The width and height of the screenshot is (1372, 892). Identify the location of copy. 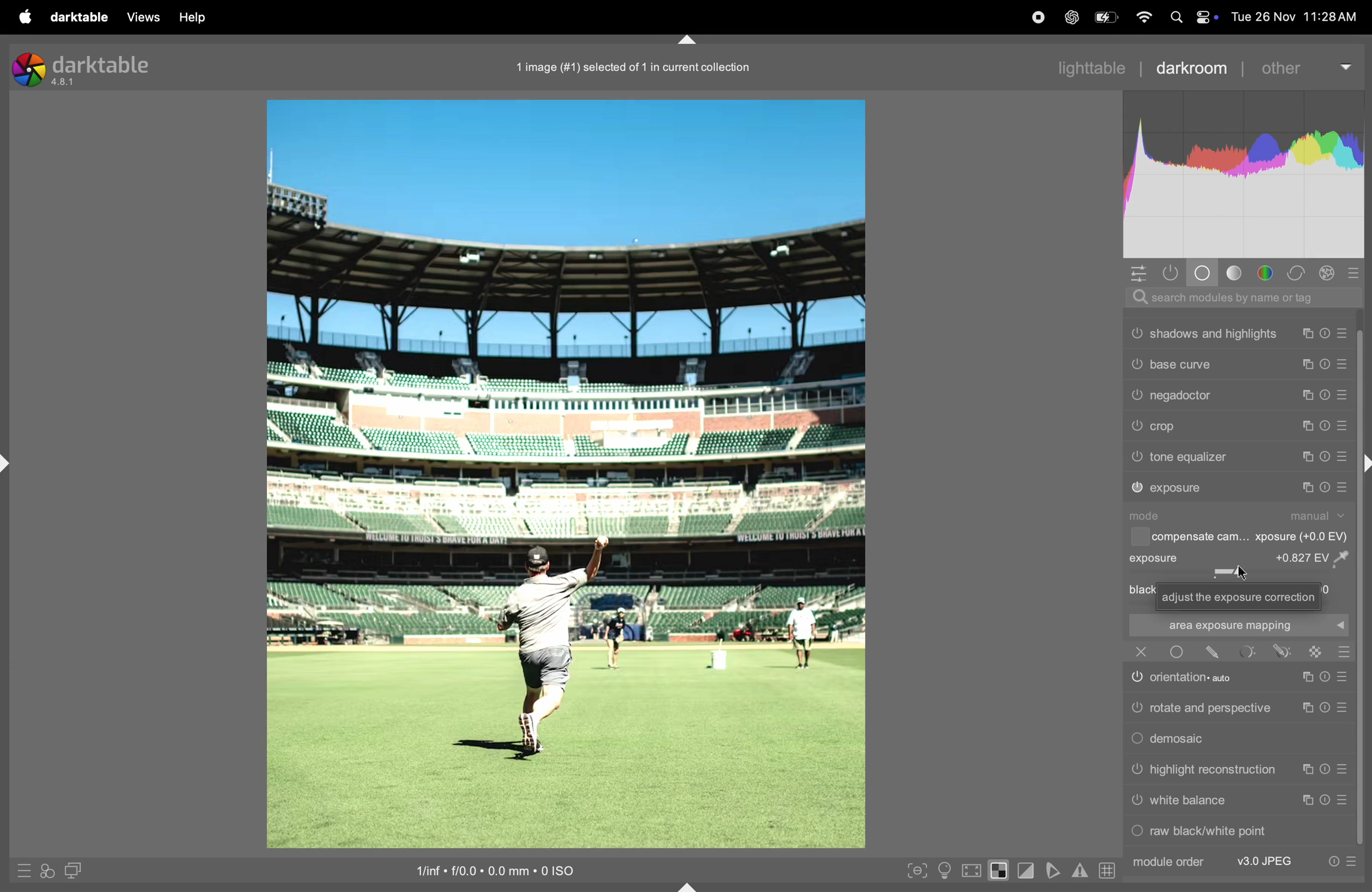
(1308, 334).